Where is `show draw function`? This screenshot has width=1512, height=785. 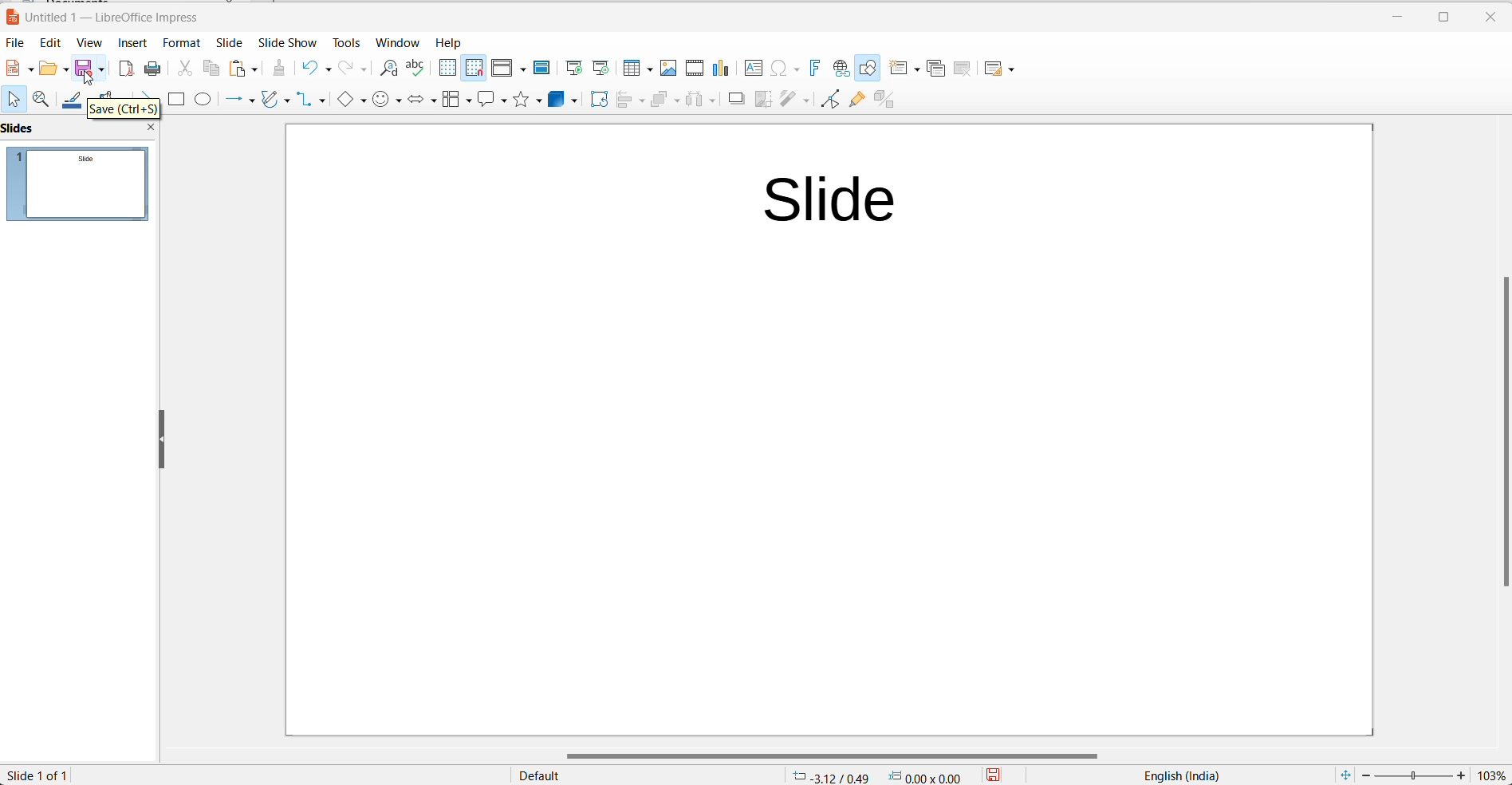
show draw function is located at coordinates (868, 69).